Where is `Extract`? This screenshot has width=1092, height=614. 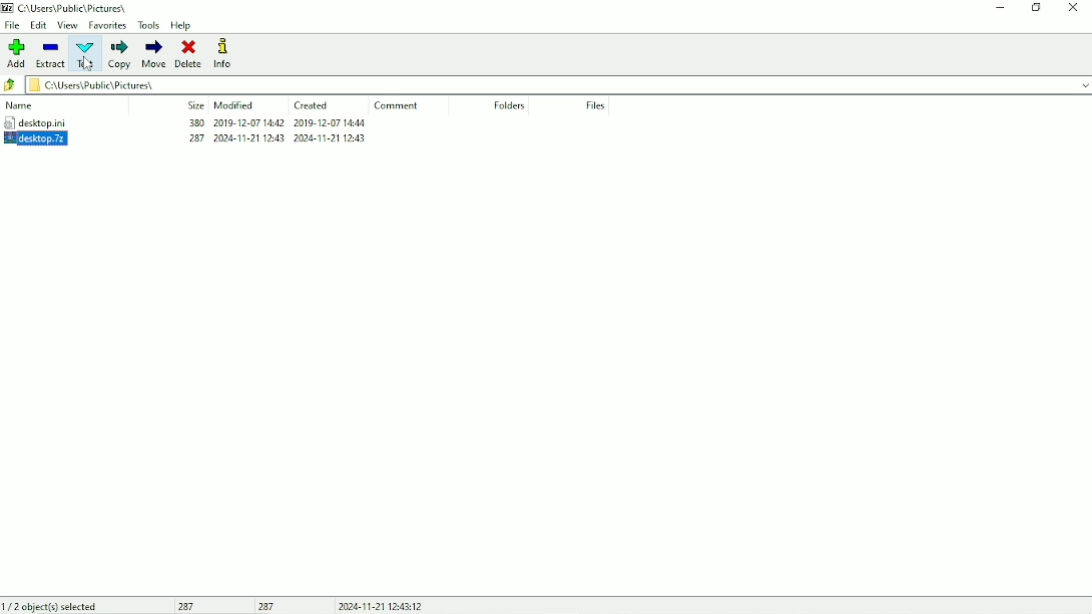 Extract is located at coordinates (51, 54).